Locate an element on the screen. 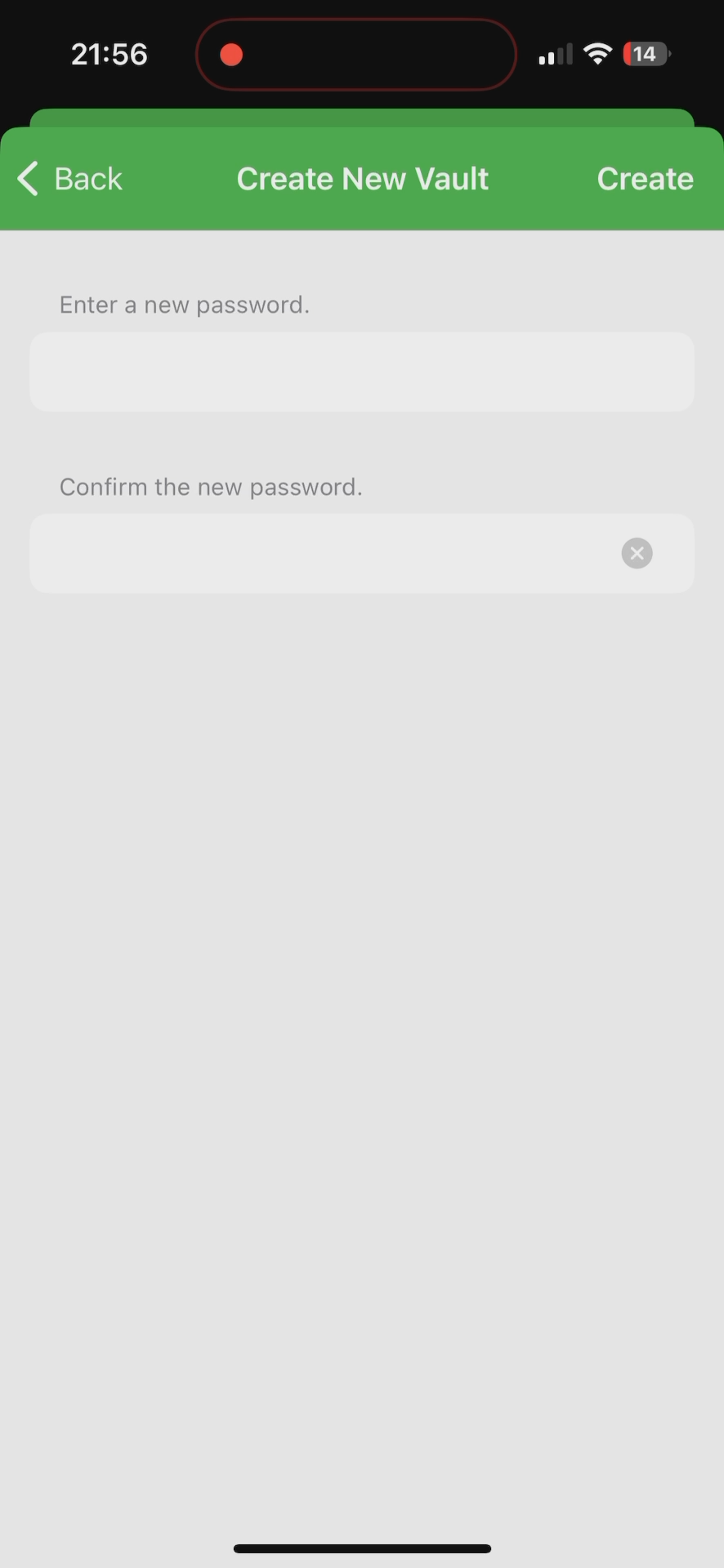   is located at coordinates (372, 174).